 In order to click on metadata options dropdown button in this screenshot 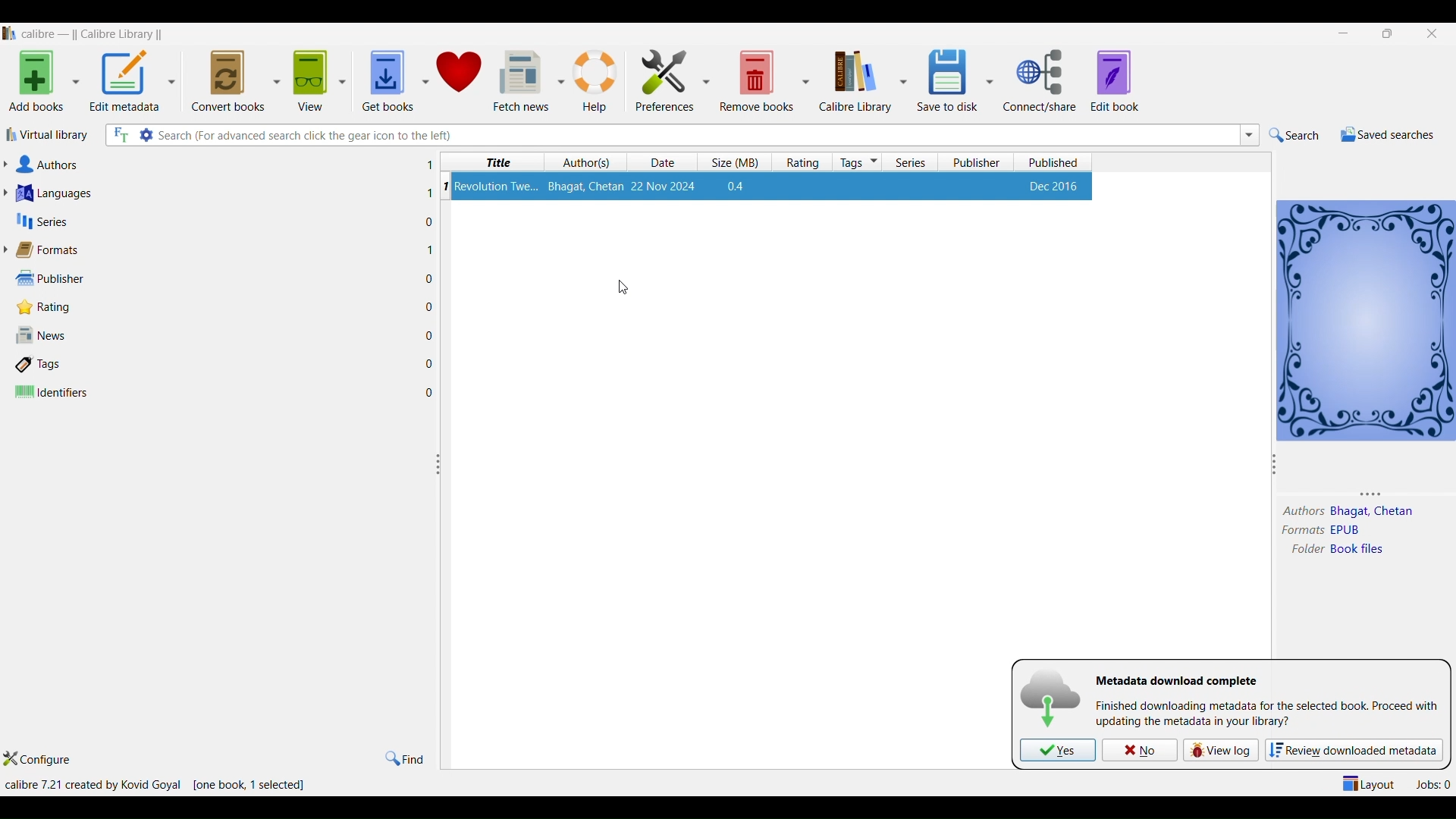, I will do `click(176, 79)`.